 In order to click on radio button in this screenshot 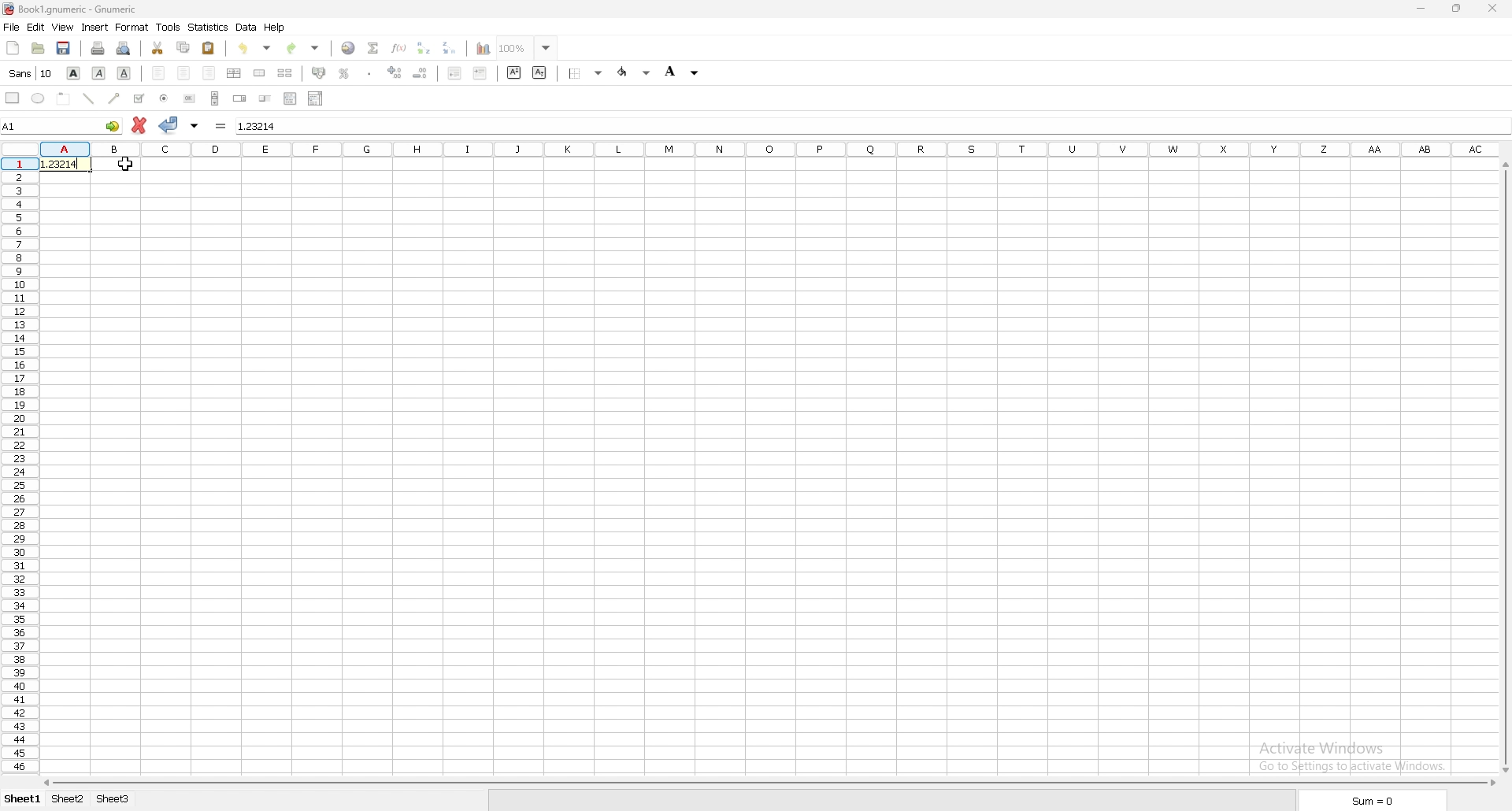, I will do `click(165, 98)`.